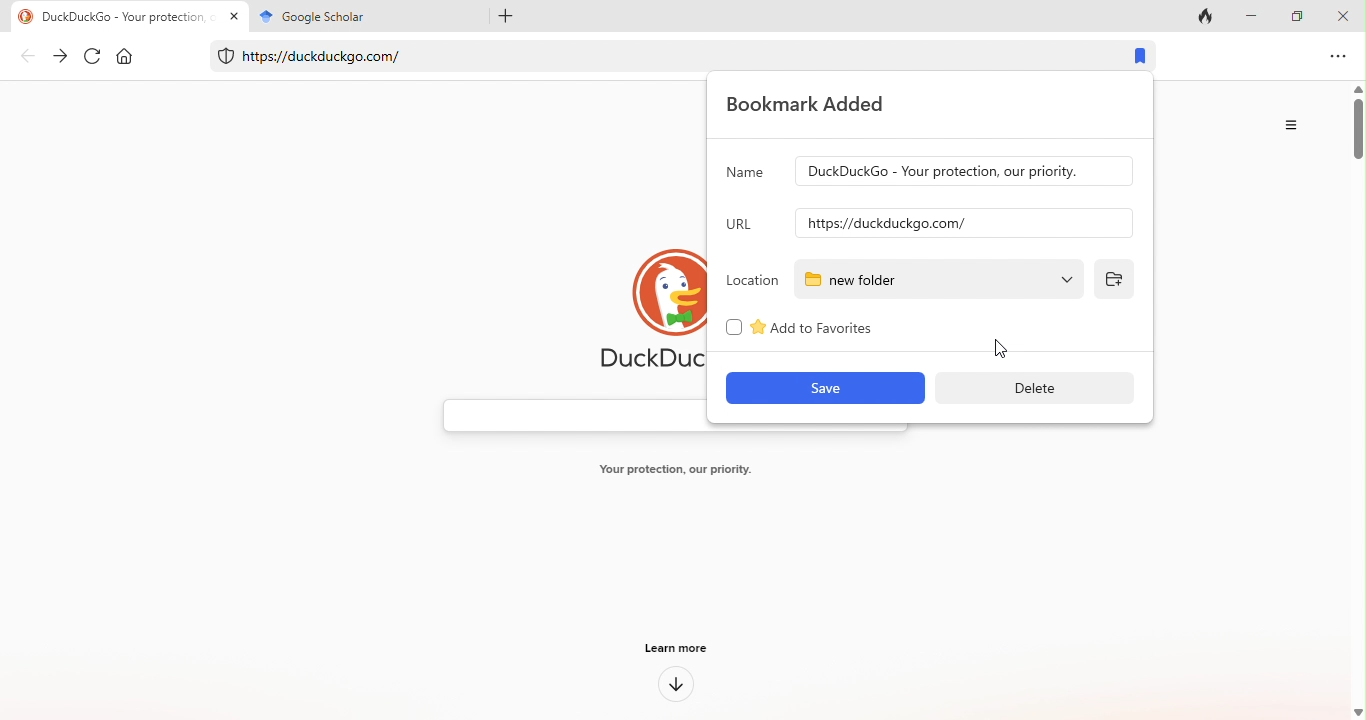 The width and height of the screenshot is (1366, 720). I want to click on track tab, so click(1210, 15).